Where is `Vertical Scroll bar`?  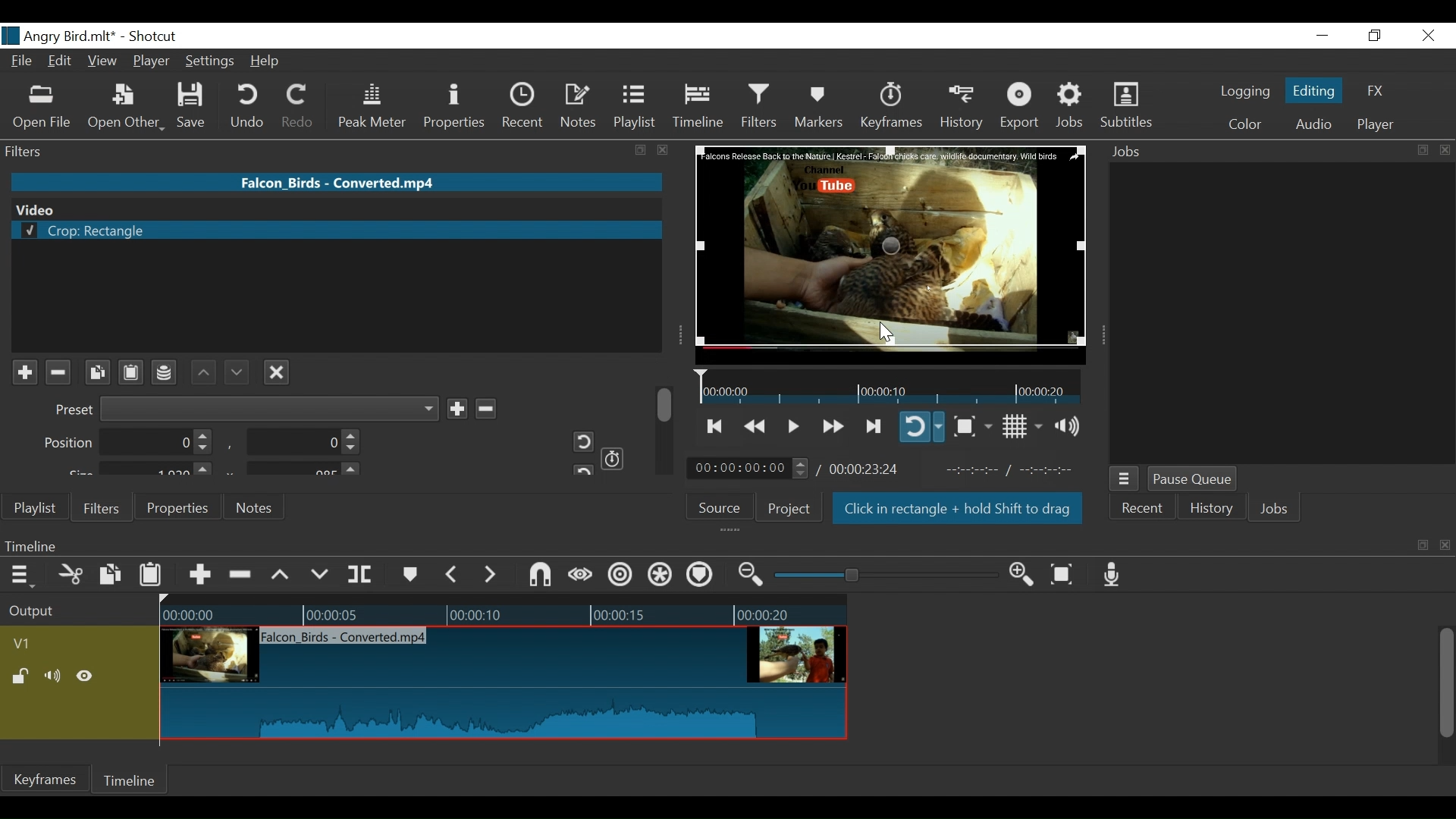 Vertical Scroll bar is located at coordinates (1445, 685).